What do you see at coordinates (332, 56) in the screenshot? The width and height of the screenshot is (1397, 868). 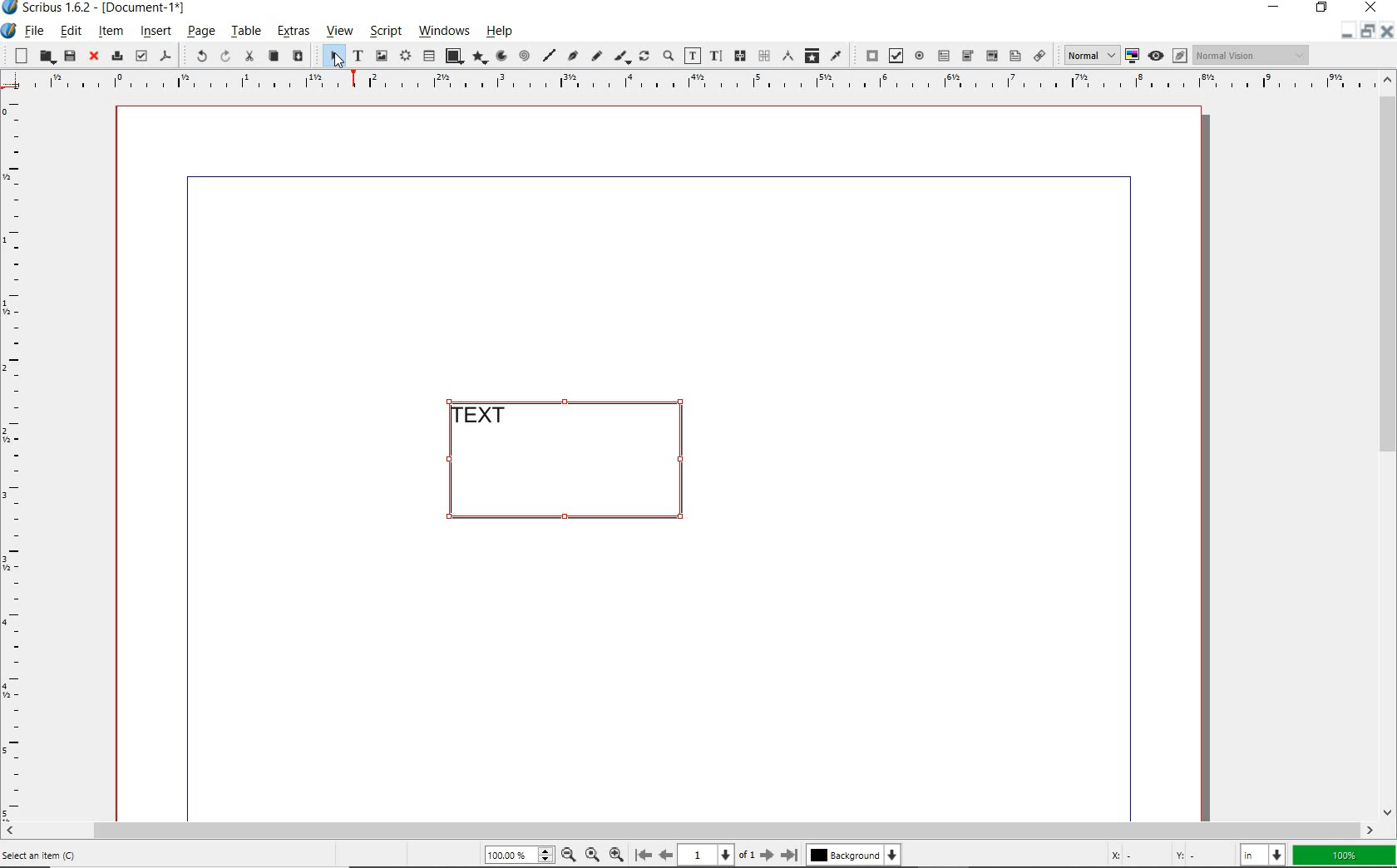 I see `select item` at bounding box center [332, 56].